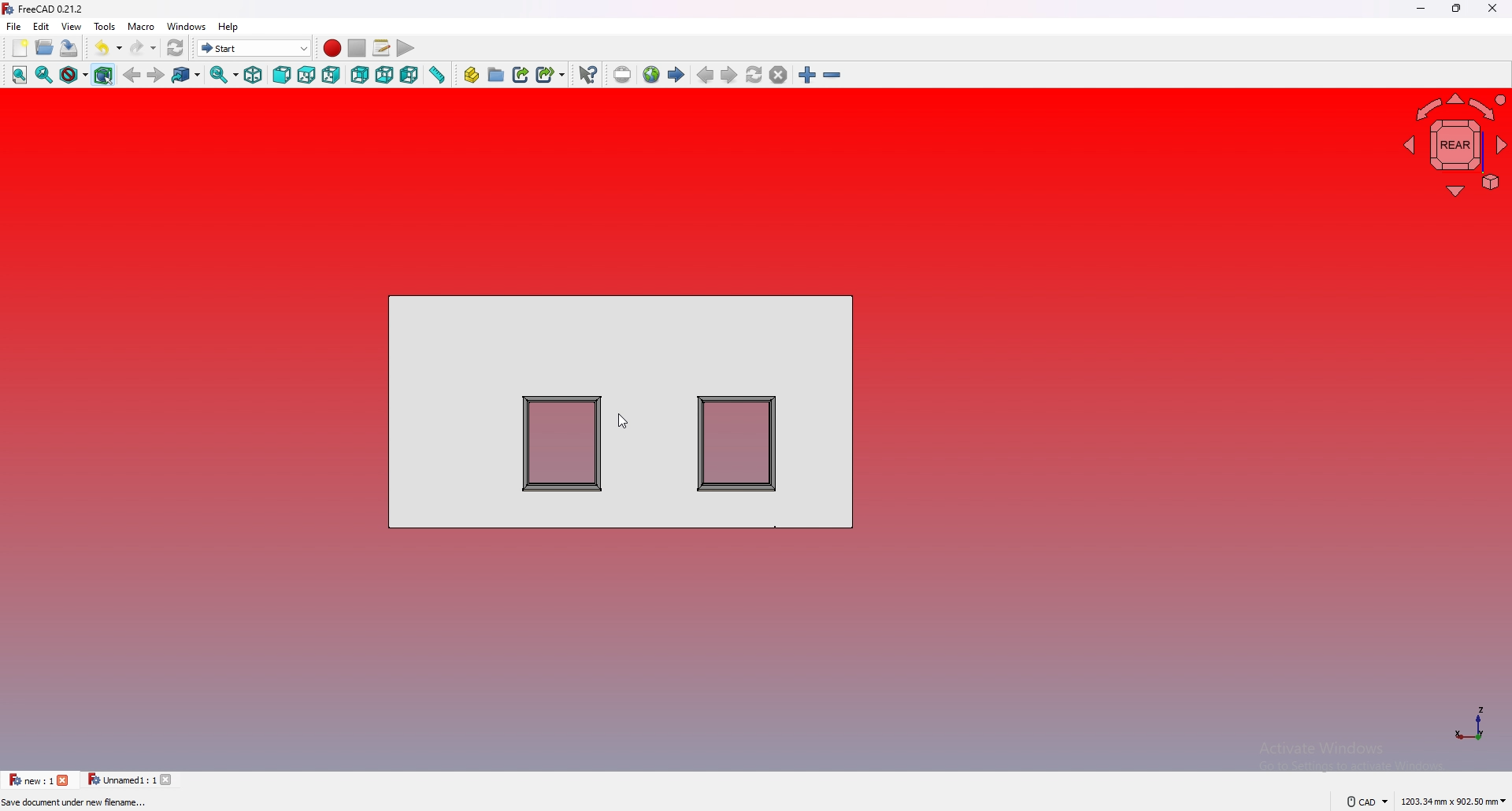  What do you see at coordinates (224, 76) in the screenshot?
I see `sync view` at bounding box center [224, 76].